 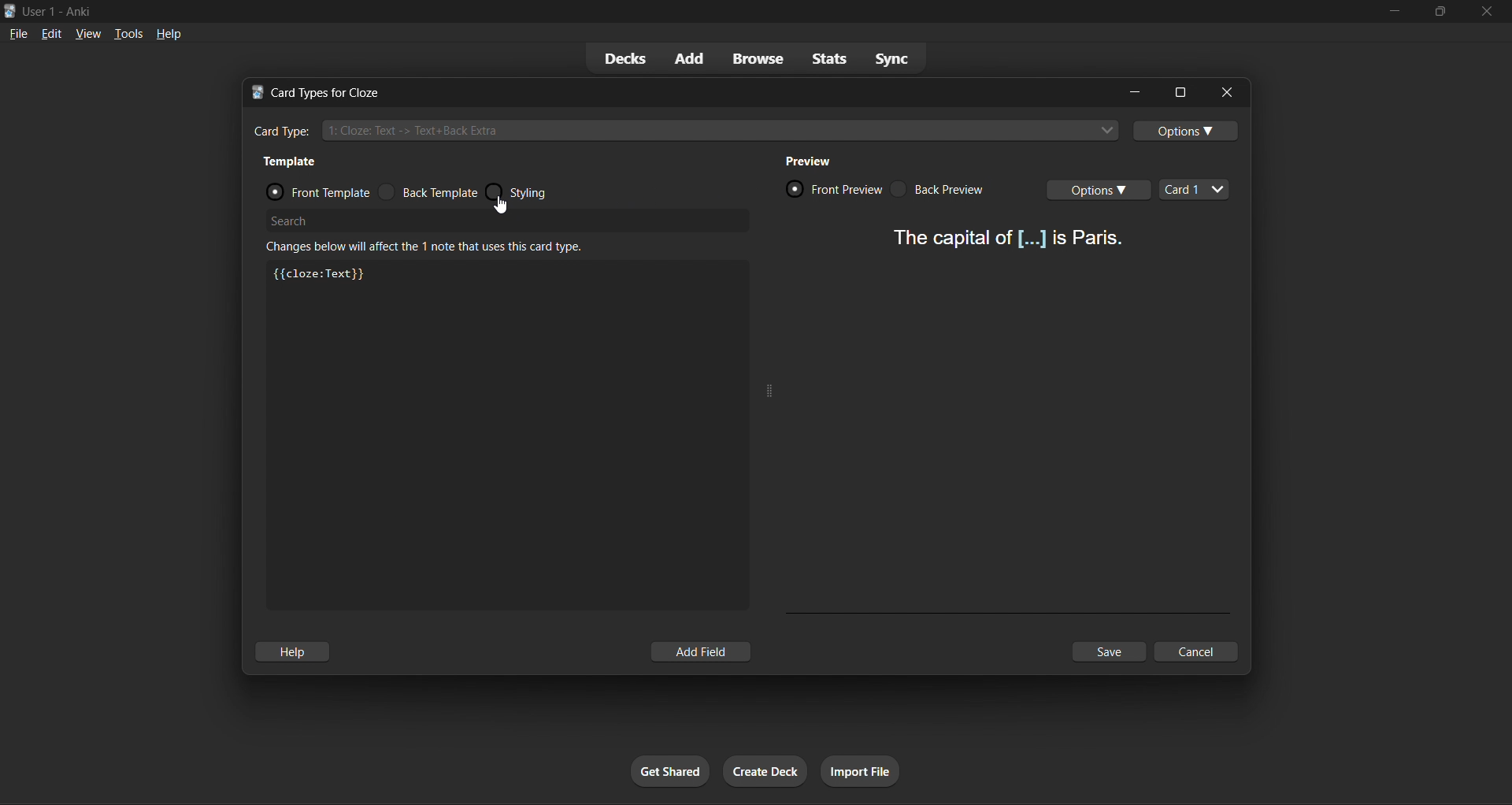 I want to click on stats, so click(x=828, y=60).